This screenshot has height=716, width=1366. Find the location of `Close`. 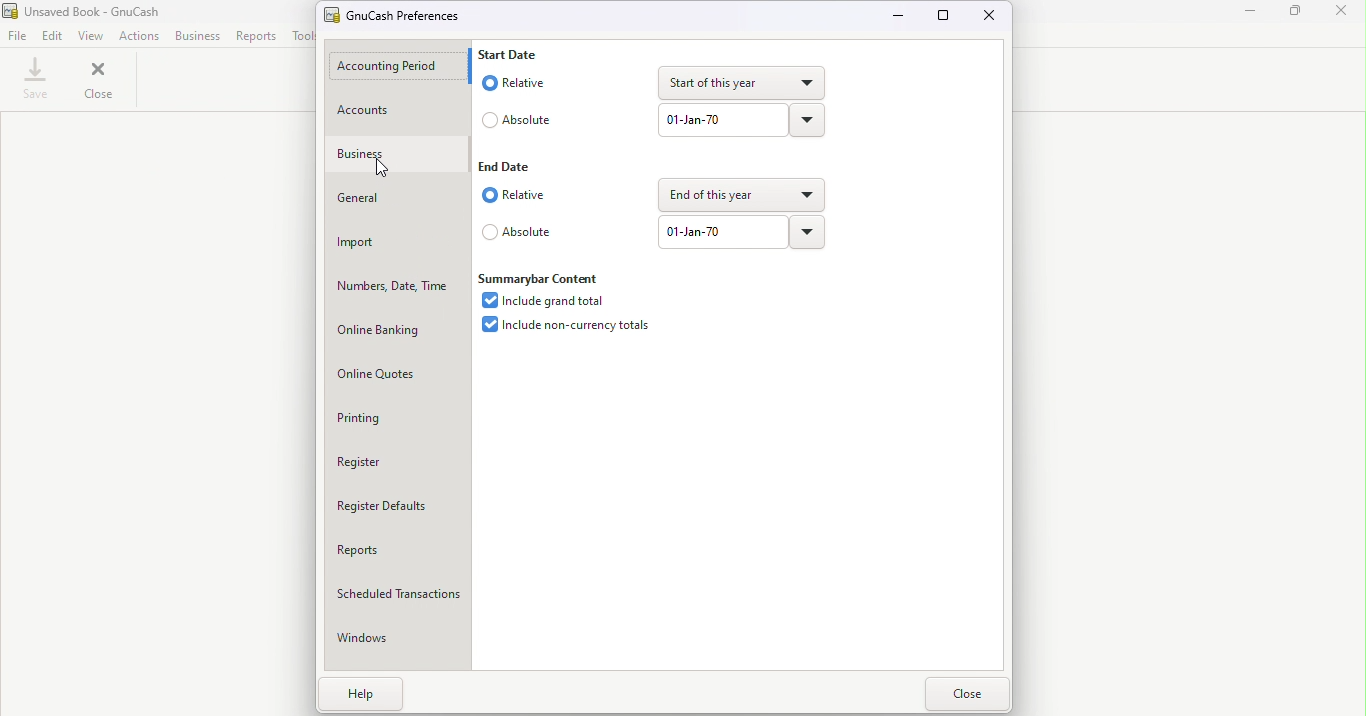

Close is located at coordinates (967, 695).